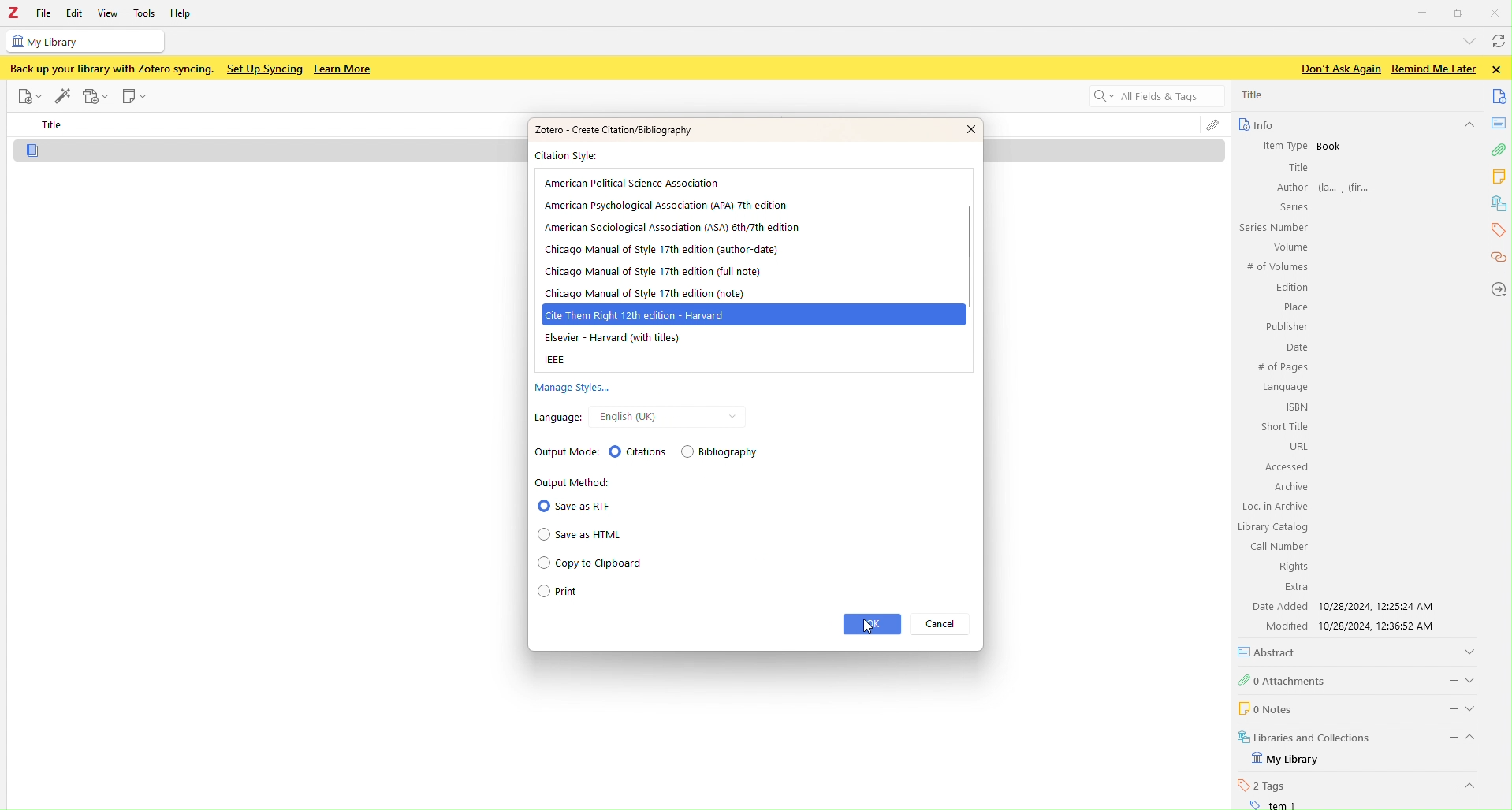 The width and height of the screenshot is (1512, 810). What do you see at coordinates (1147, 98) in the screenshot?
I see `All fields and tags` at bounding box center [1147, 98].